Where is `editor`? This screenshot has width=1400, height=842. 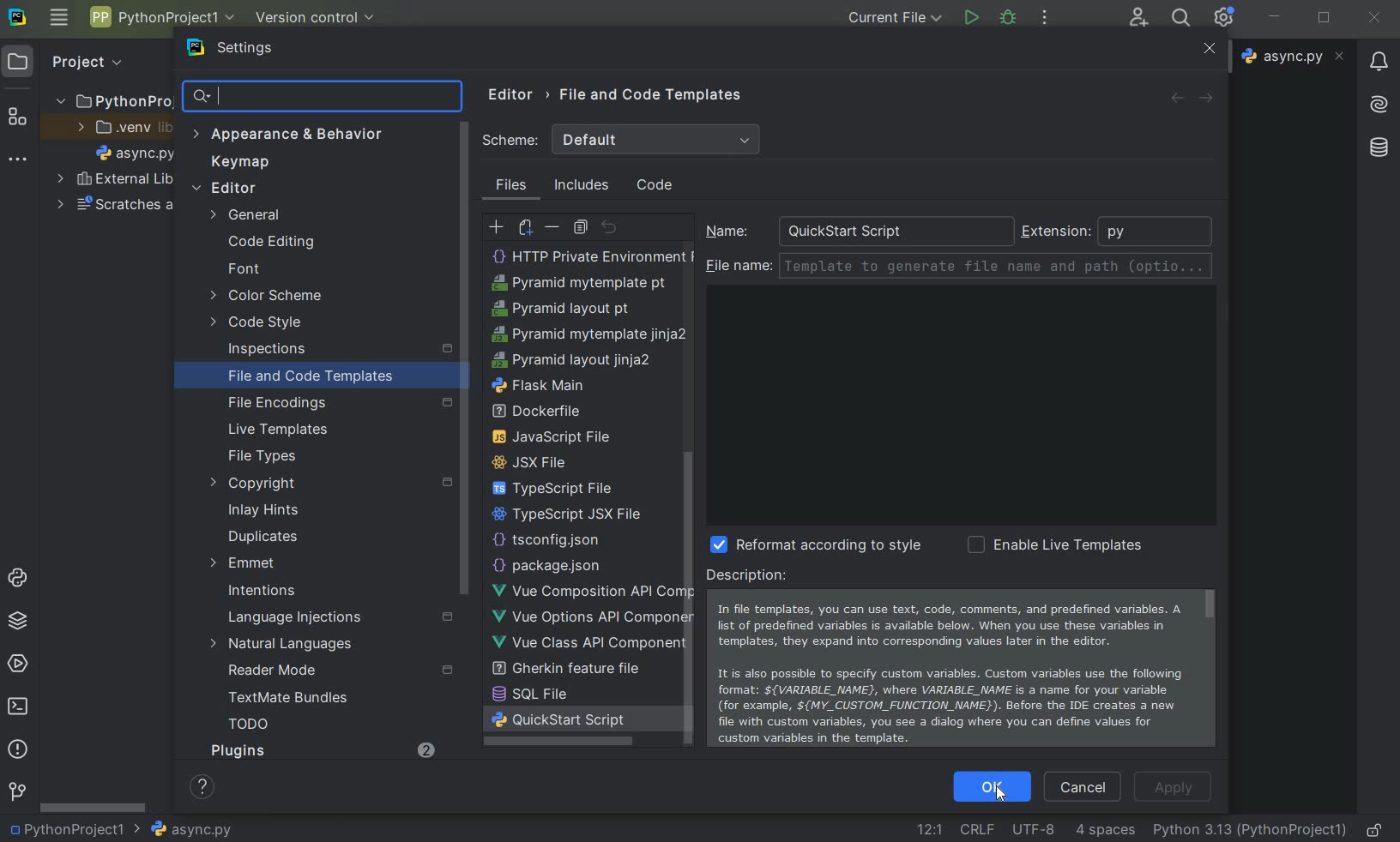
editor is located at coordinates (511, 96).